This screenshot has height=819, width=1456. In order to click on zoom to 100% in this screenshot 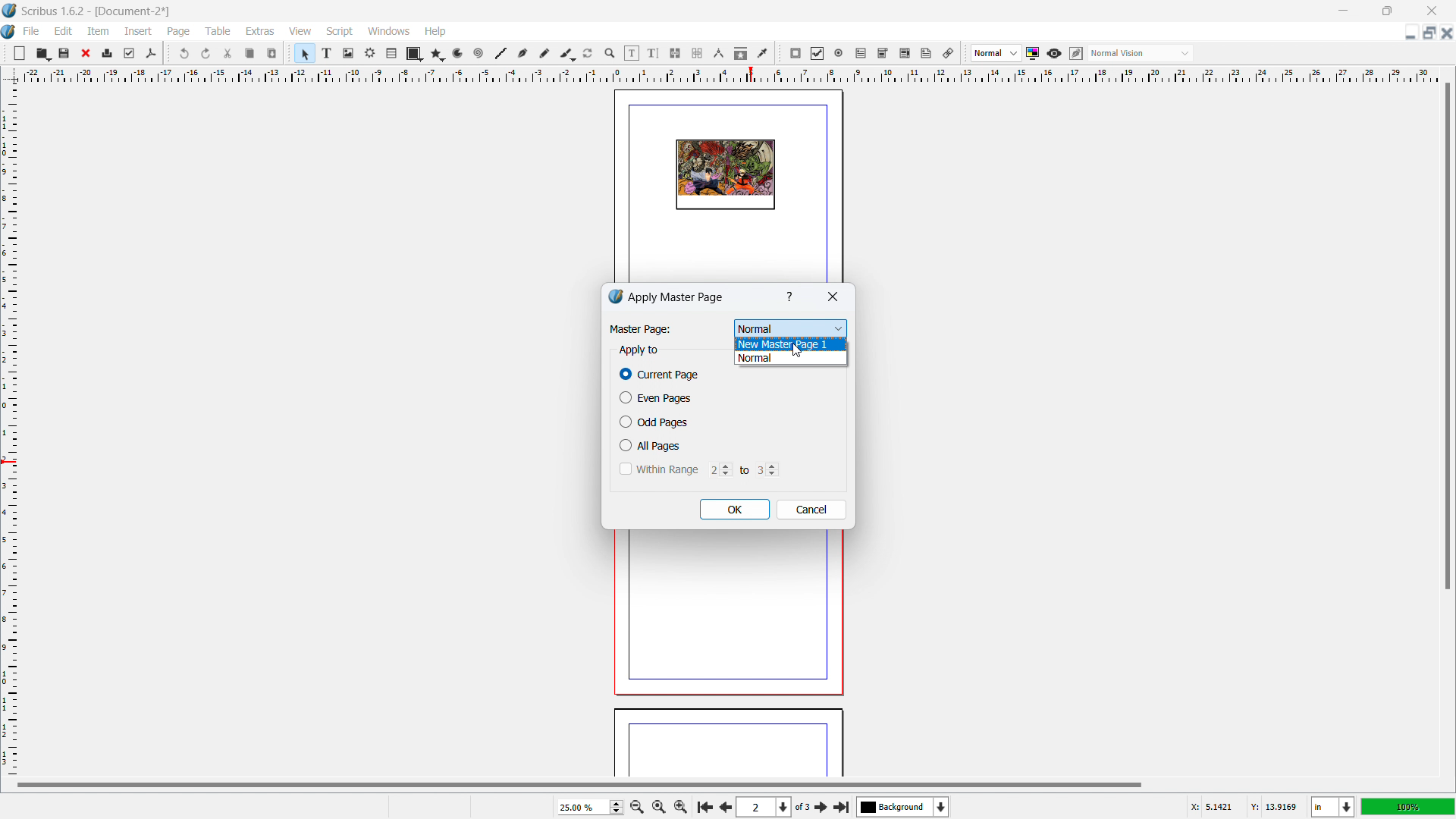, I will do `click(658, 805)`.